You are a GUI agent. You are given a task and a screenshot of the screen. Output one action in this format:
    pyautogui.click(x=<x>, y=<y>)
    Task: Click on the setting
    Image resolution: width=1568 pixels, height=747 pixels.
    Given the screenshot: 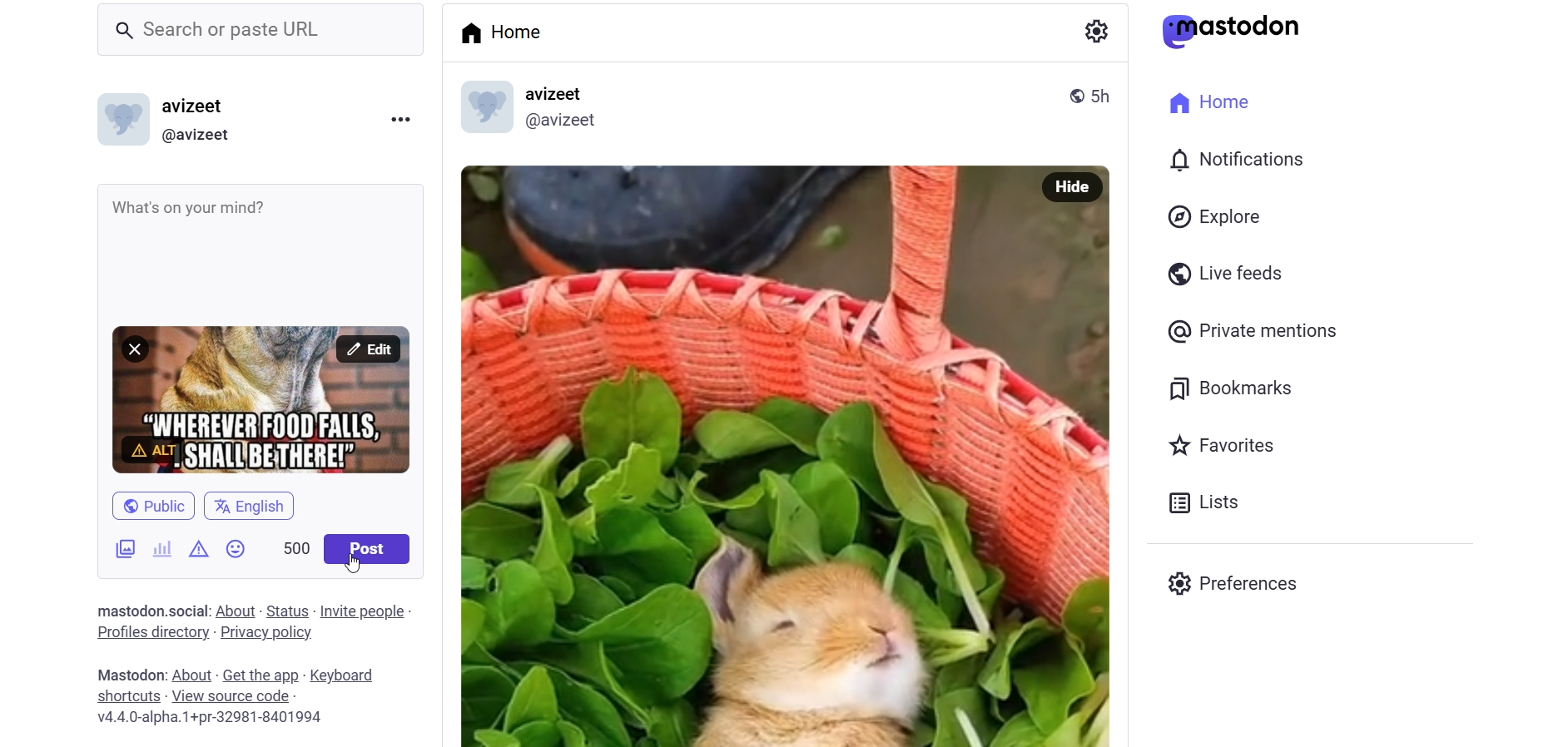 What is the action you would take?
    pyautogui.click(x=1093, y=27)
    